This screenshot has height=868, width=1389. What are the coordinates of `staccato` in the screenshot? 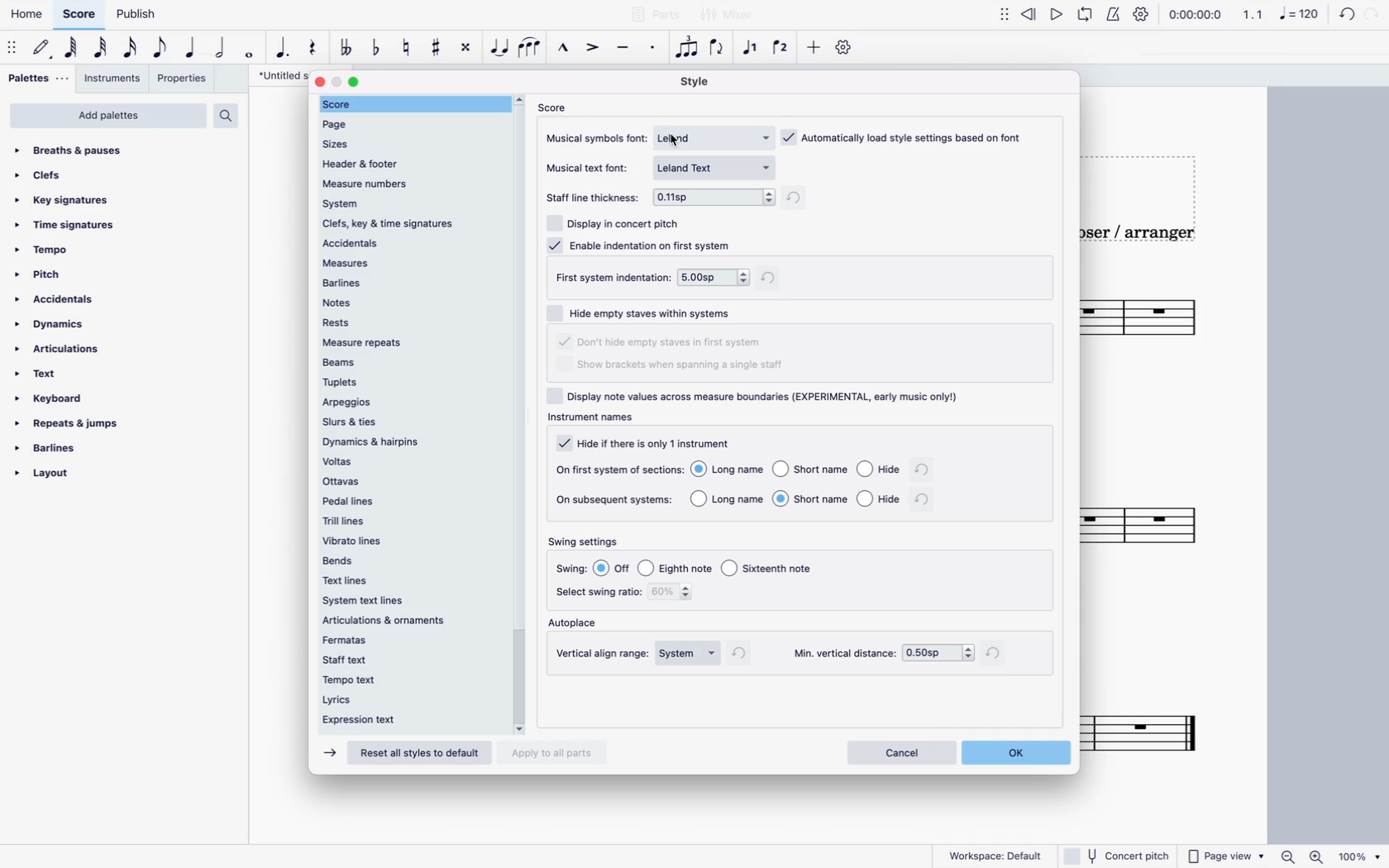 It's located at (652, 53).